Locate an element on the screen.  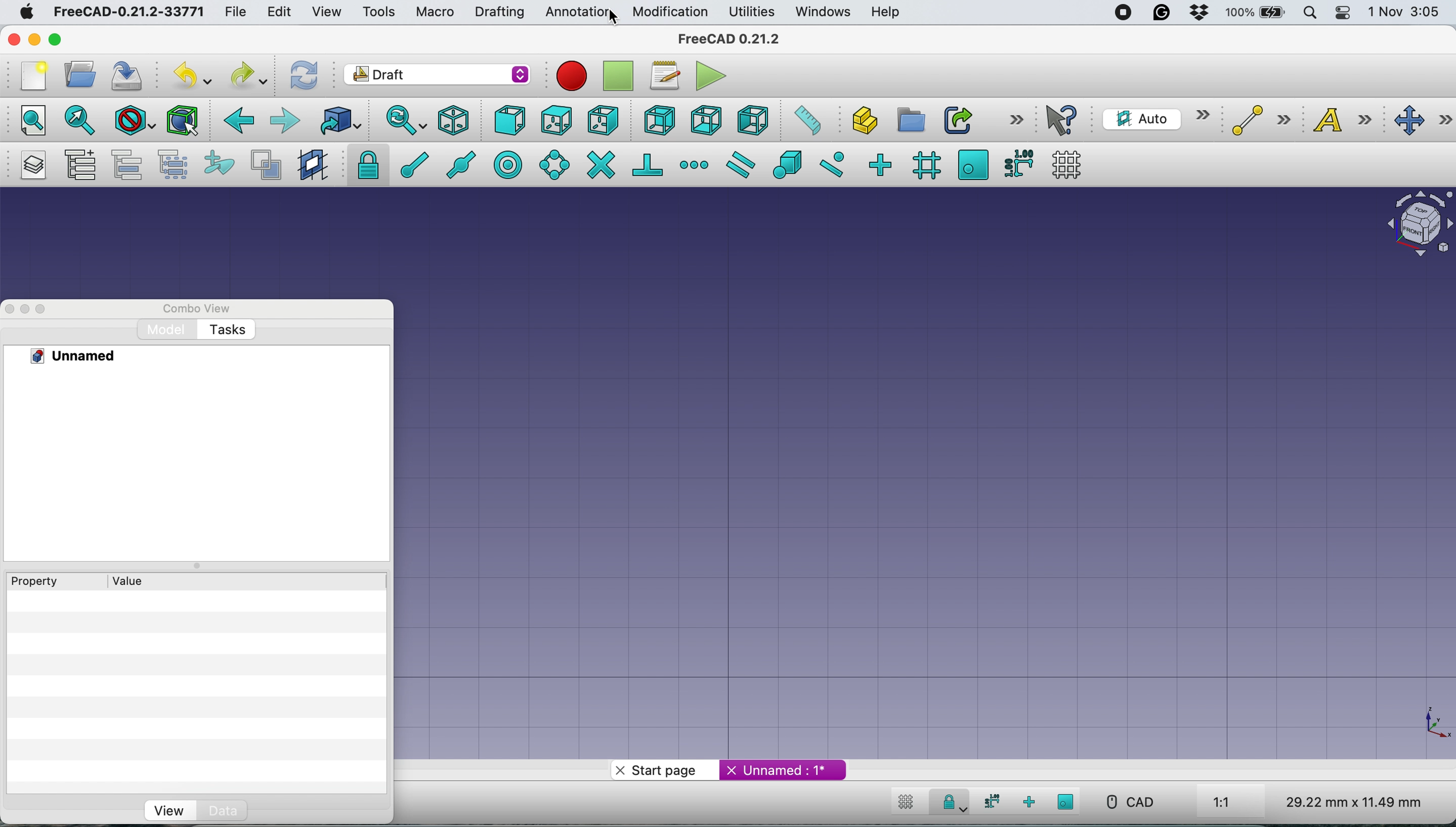
help is located at coordinates (884, 14).